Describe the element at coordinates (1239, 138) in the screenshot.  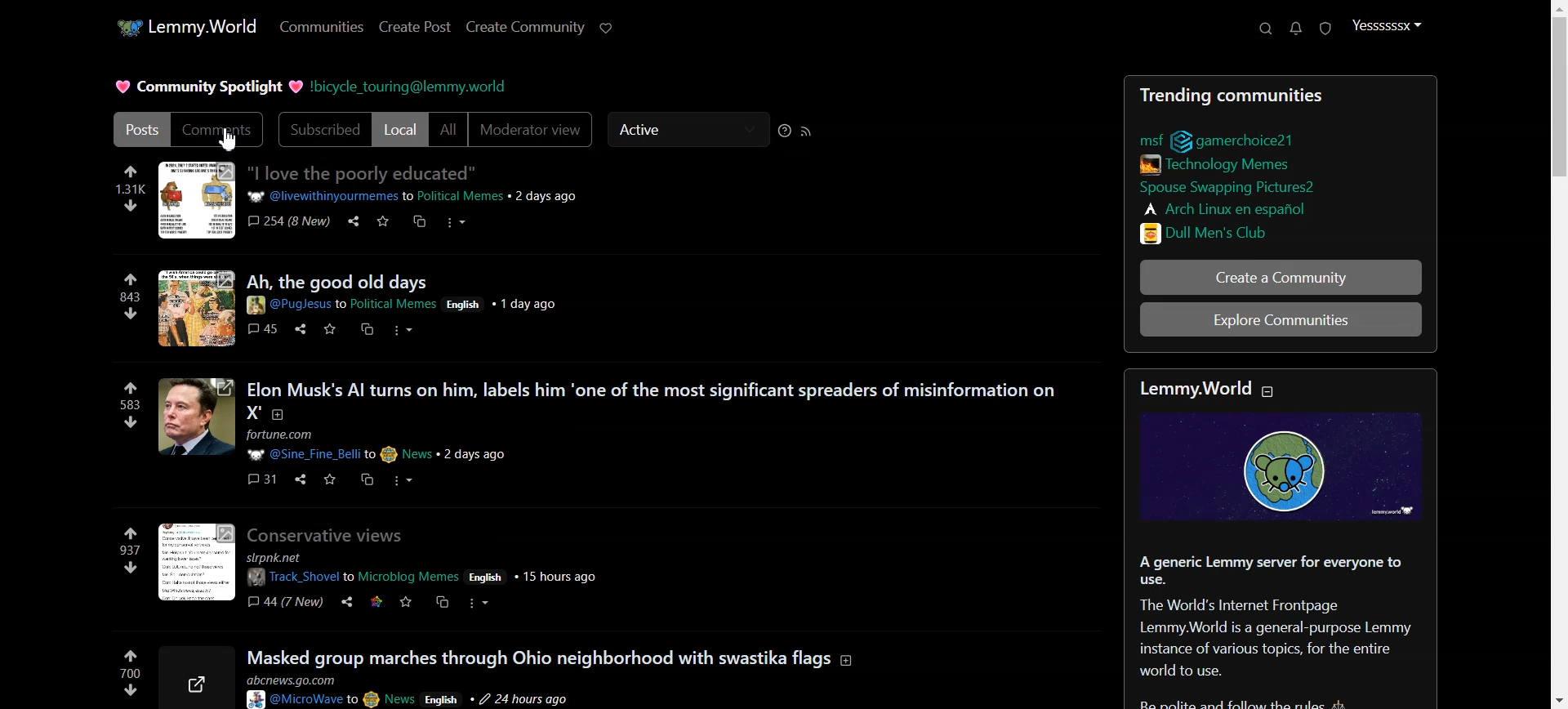
I see `link` at that location.